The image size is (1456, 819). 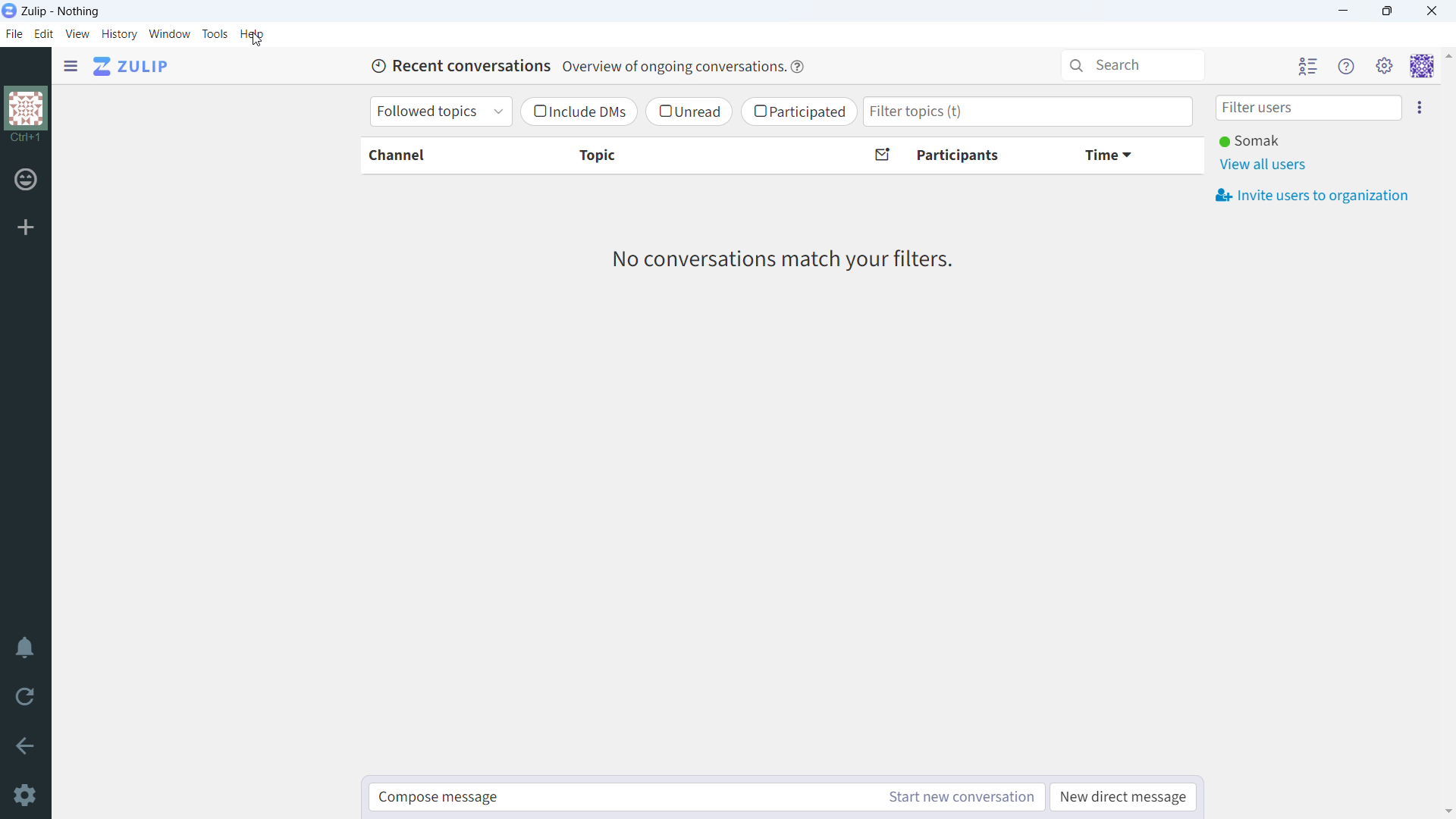 I want to click on Followed topics, so click(x=441, y=111).